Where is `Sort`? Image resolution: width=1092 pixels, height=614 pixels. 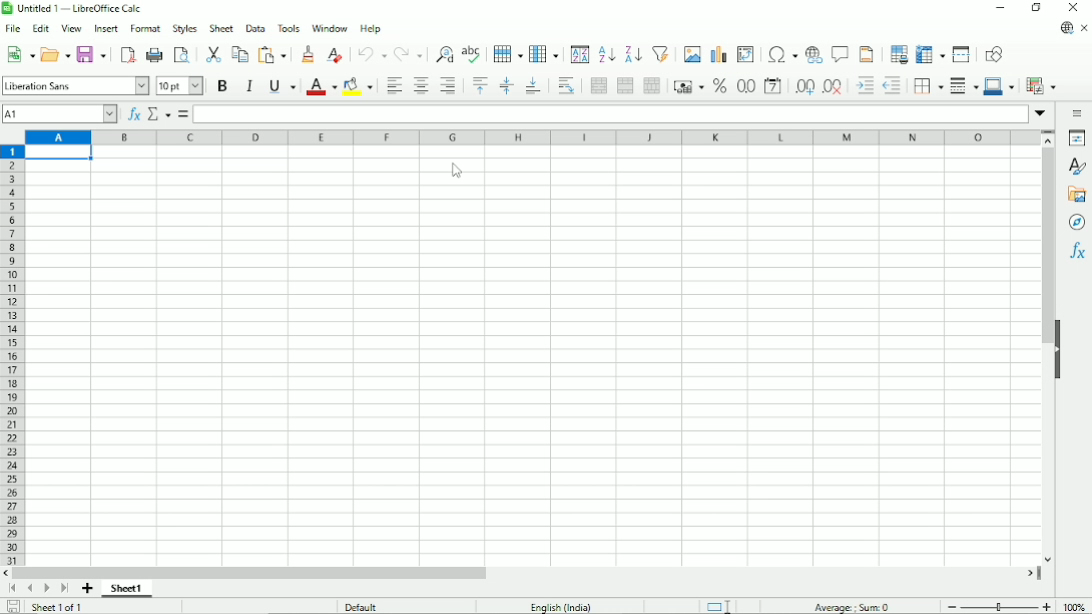 Sort is located at coordinates (579, 54).